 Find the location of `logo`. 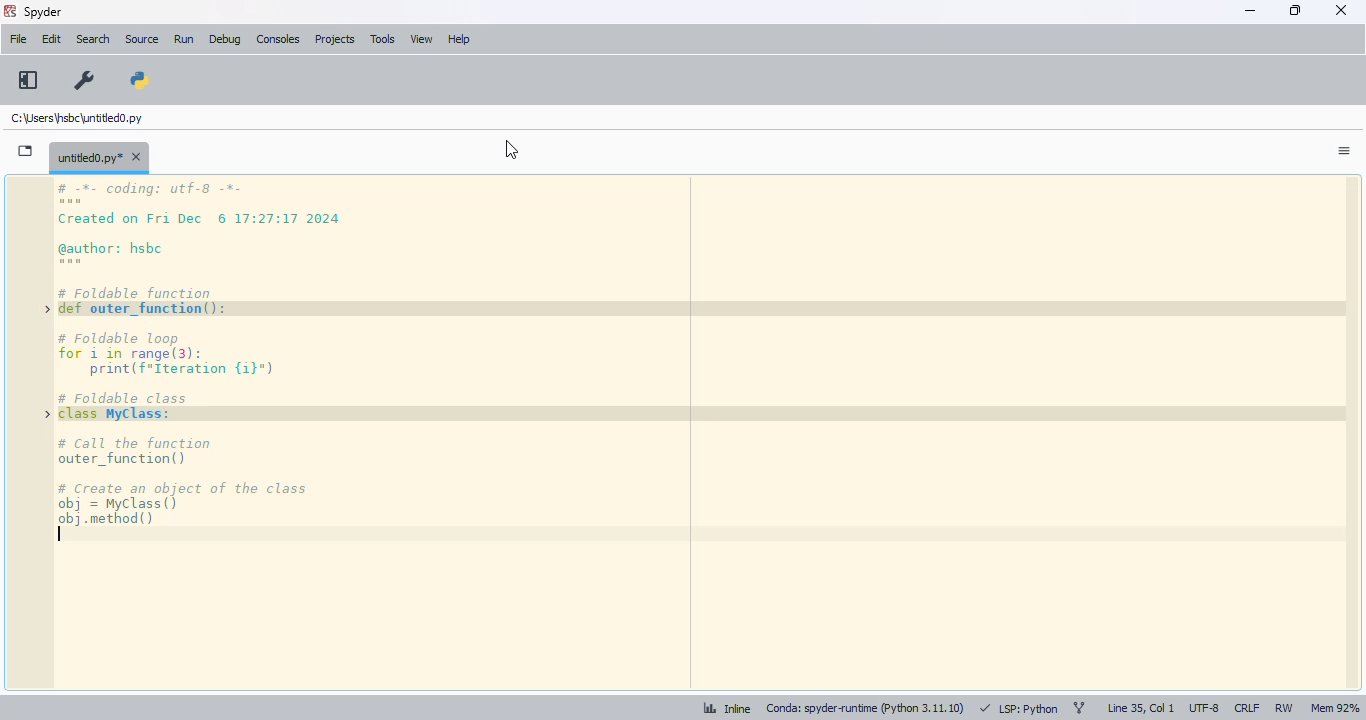

logo is located at coordinates (9, 11).